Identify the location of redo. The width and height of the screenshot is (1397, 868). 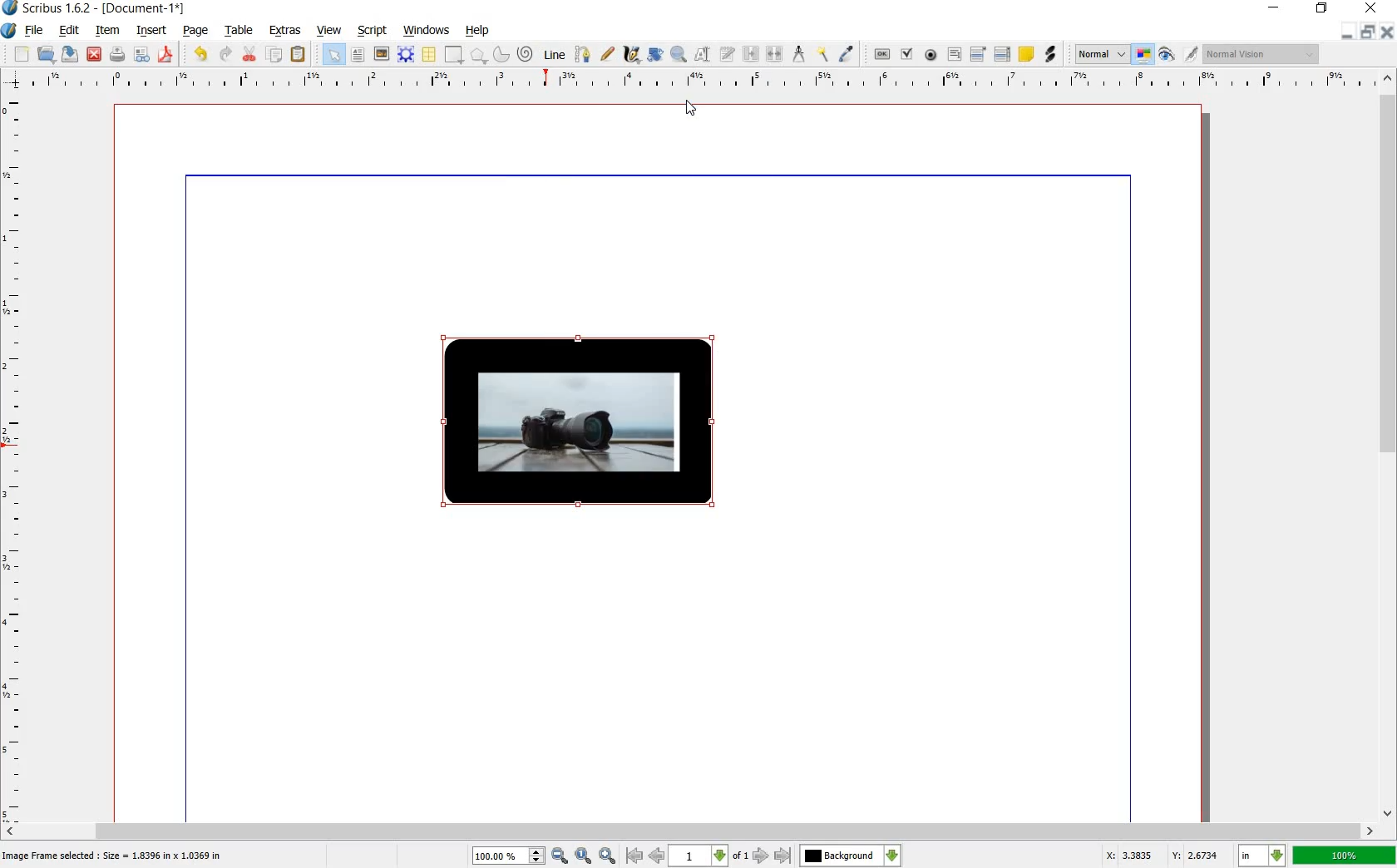
(225, 55).